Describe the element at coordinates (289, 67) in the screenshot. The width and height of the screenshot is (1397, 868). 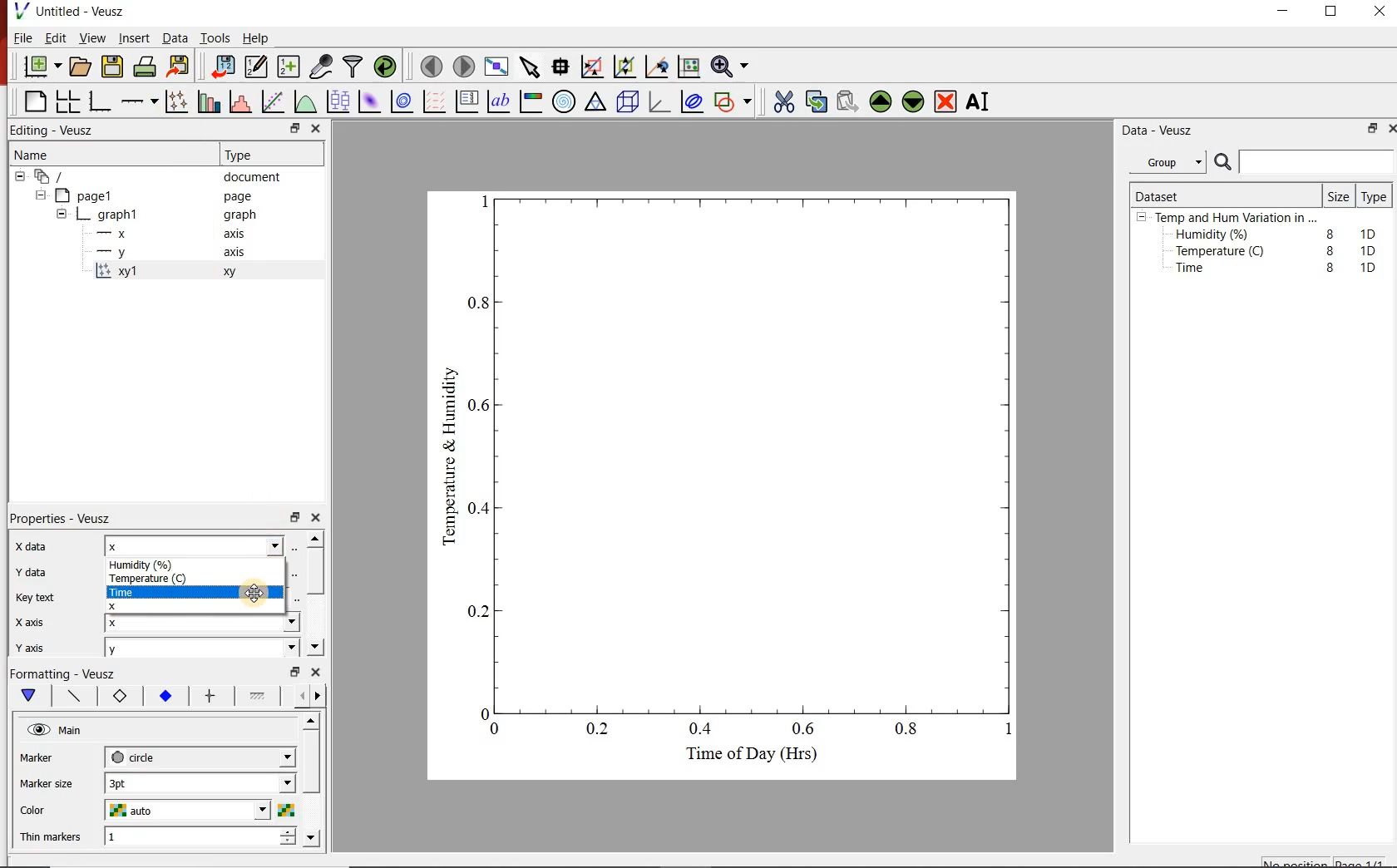
I see `create new datasets using ranges, parametrically or as functions of existing datasets` at that location.